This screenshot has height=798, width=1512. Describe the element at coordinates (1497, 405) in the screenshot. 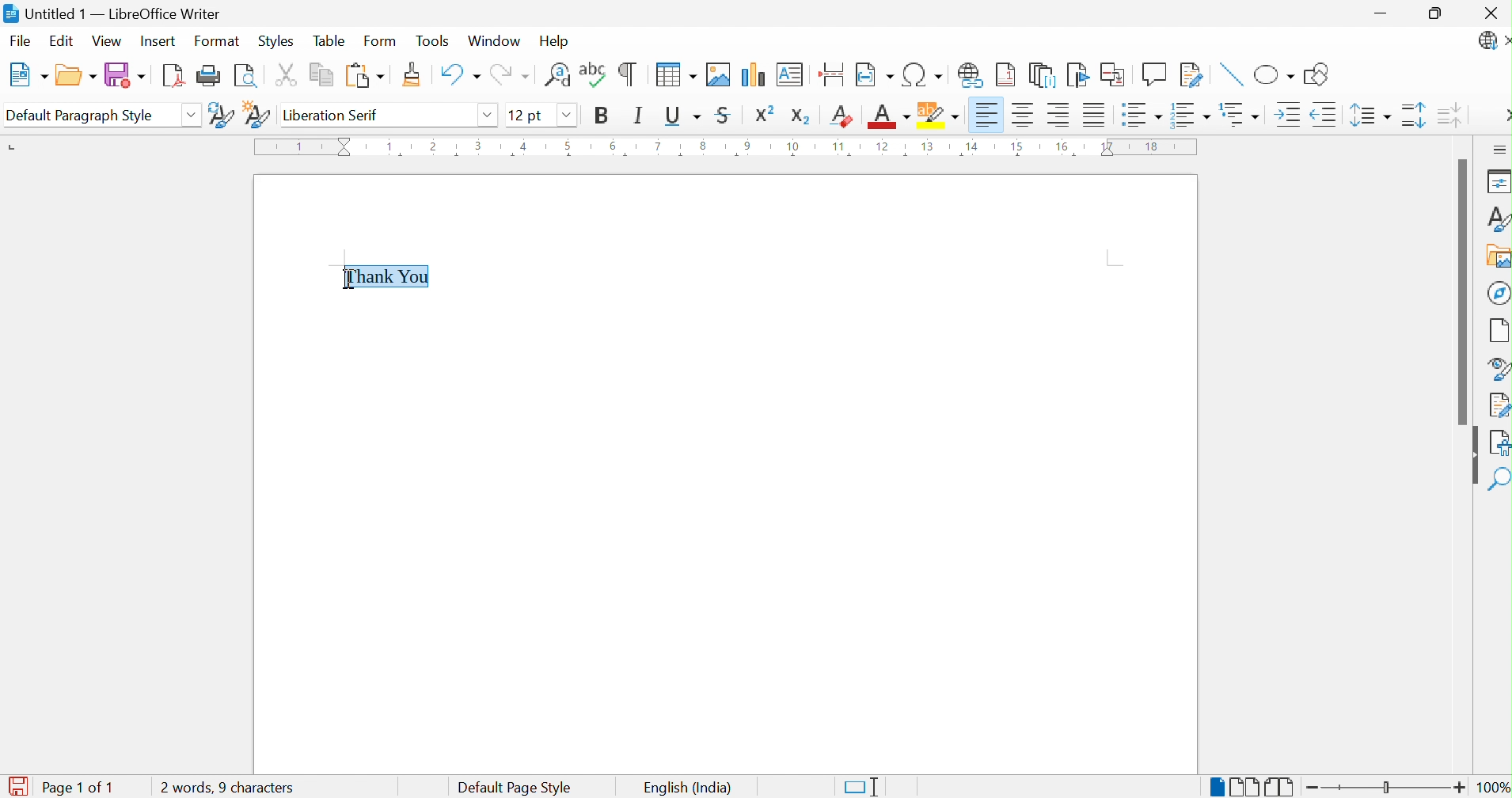

I see `Manage Changes` at that location.